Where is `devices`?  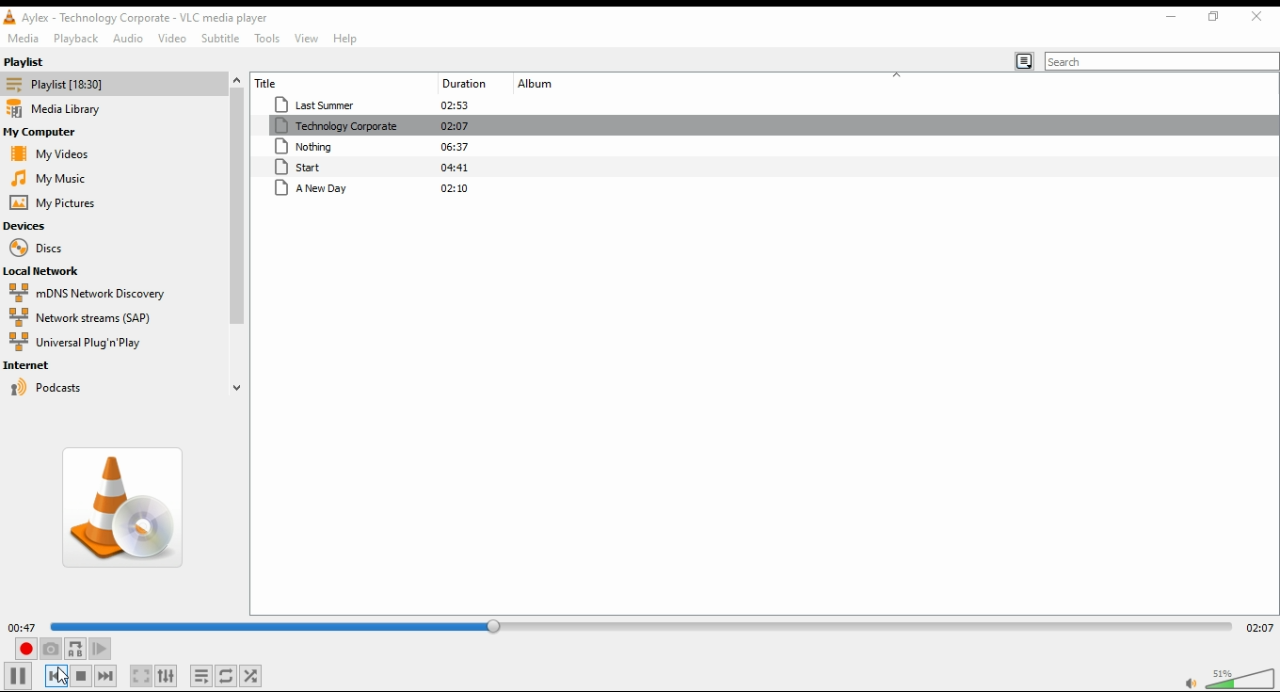
devices is located at coordinates (36, 226).